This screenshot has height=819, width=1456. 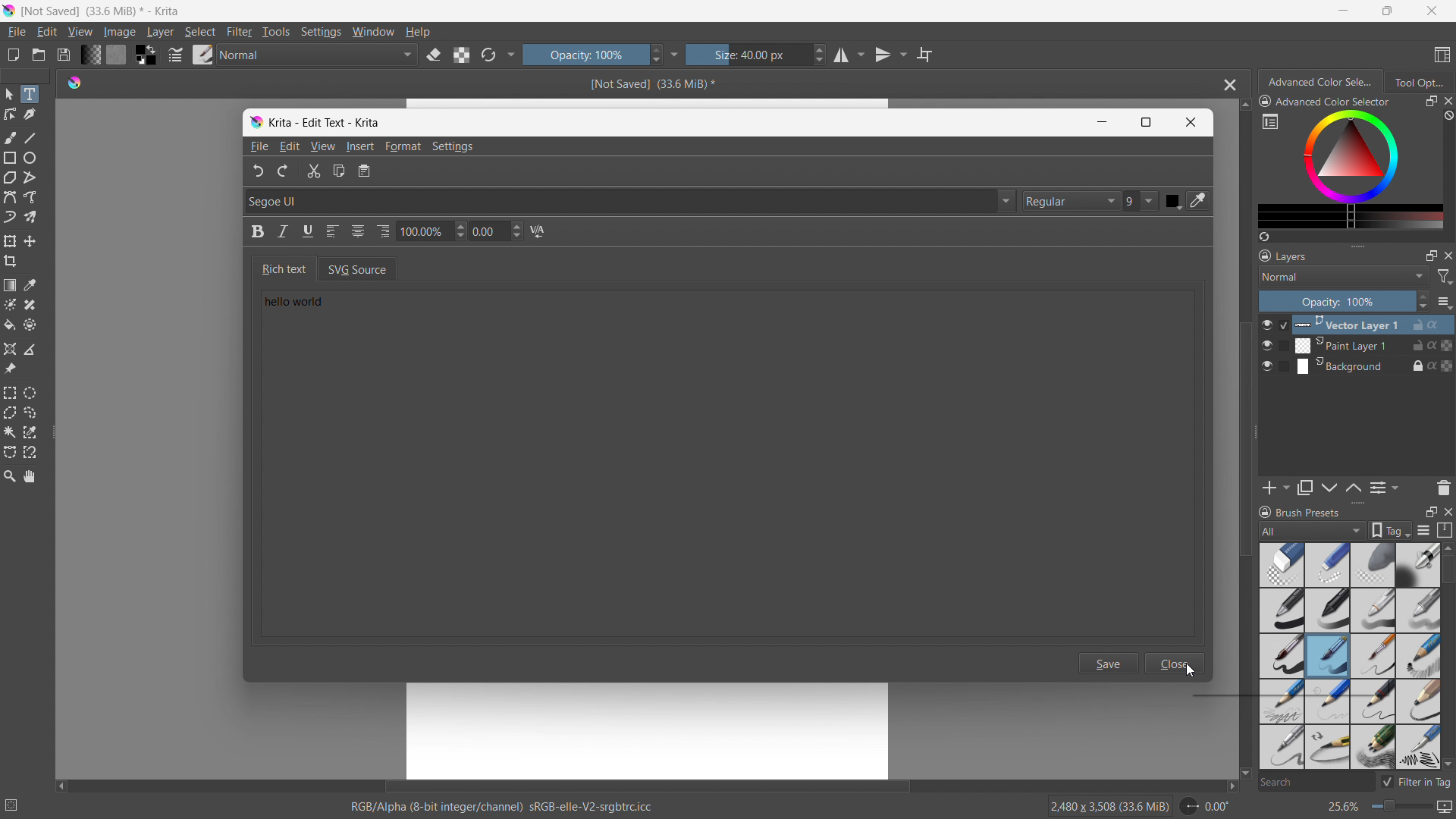 What do you see at coordinates (1071, 201) in the screenshot?
I see `Regular` at bounding box center [1071, 201].